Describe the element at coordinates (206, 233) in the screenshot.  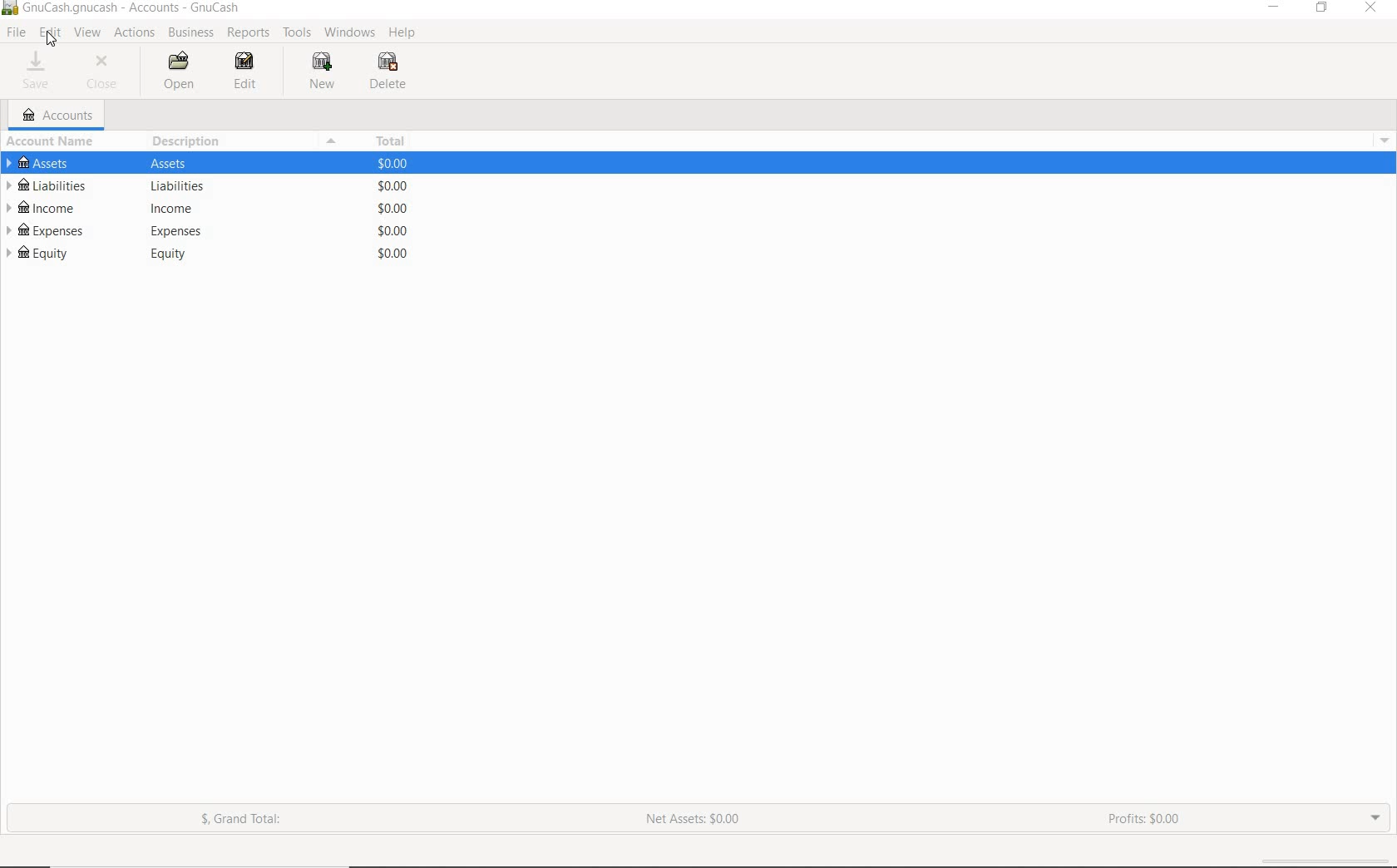
I see `EXPENSES` at that location.